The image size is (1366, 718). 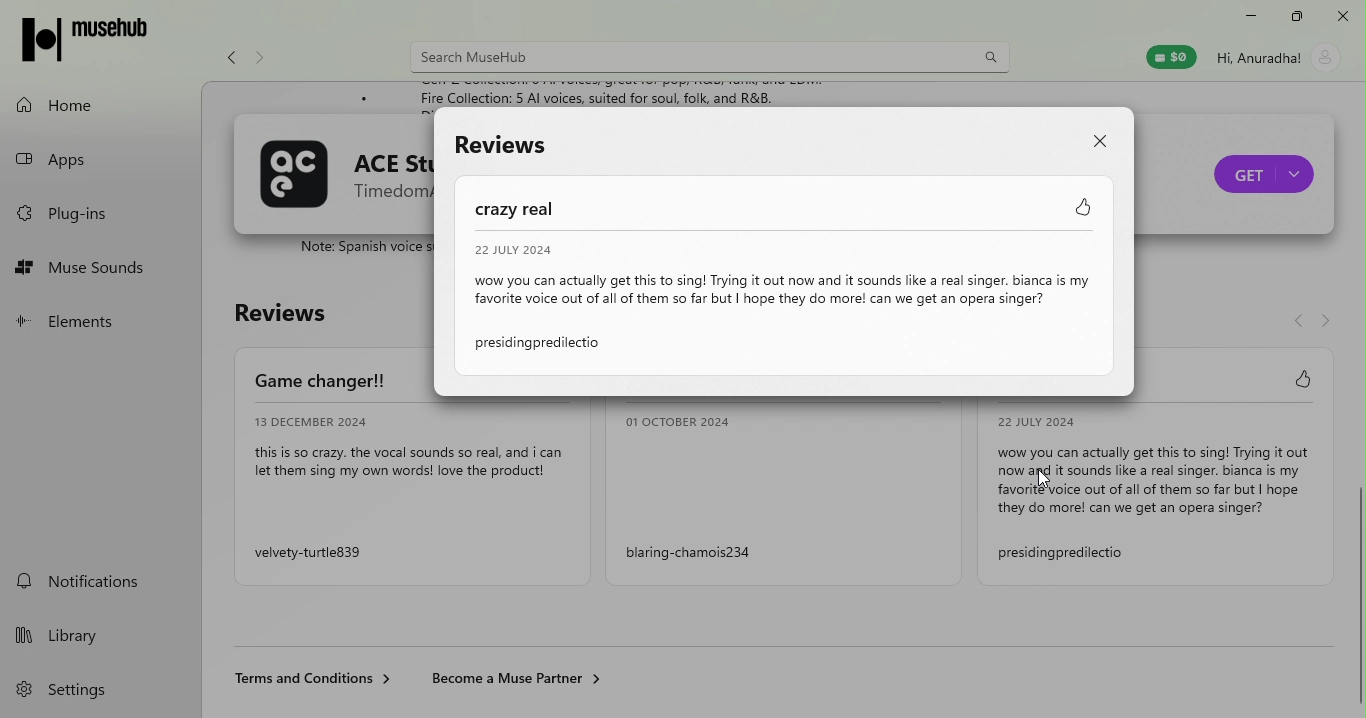 What do you see at coordinates (1249, 19) in the screenshot?
I see `minimize` at bounding box center [1249, 19].